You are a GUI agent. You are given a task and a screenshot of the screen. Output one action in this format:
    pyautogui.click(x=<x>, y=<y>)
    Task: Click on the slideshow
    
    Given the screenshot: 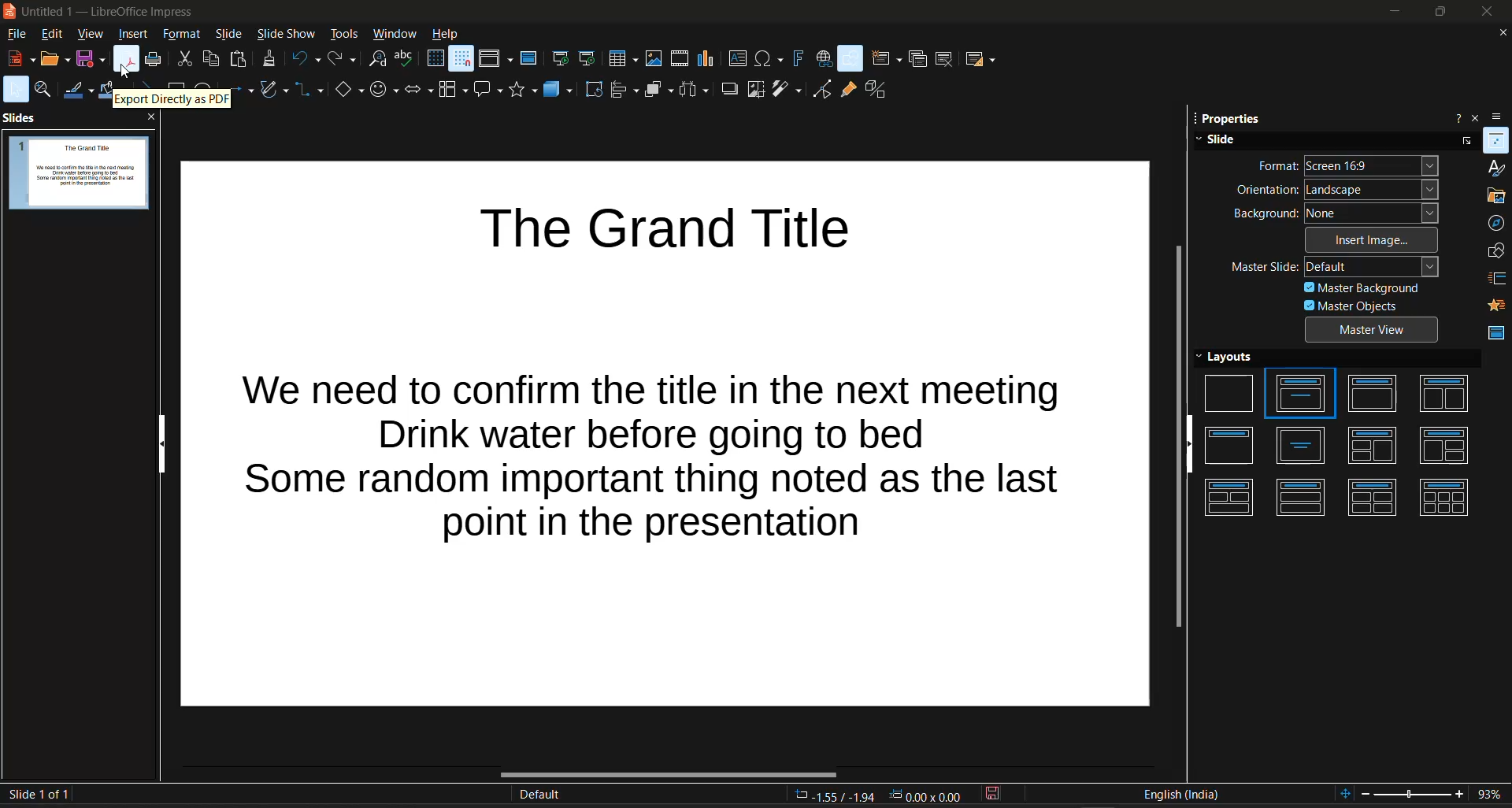 What is the action you would take?
    pyautogui.click(x=285, y=34)
    